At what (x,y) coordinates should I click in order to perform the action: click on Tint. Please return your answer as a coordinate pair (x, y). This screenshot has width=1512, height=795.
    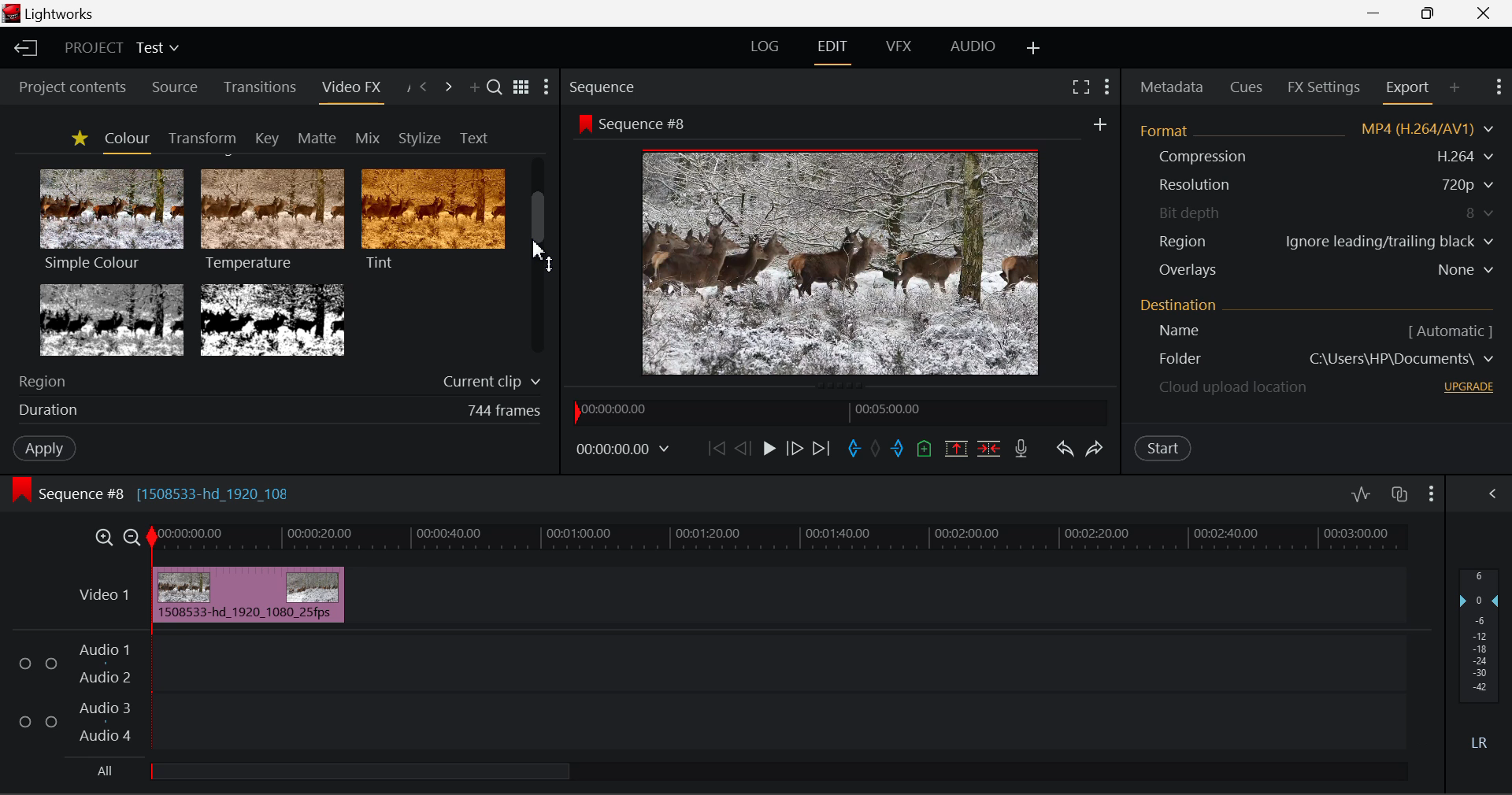
    Looking at the image, I should click on (432, 219).